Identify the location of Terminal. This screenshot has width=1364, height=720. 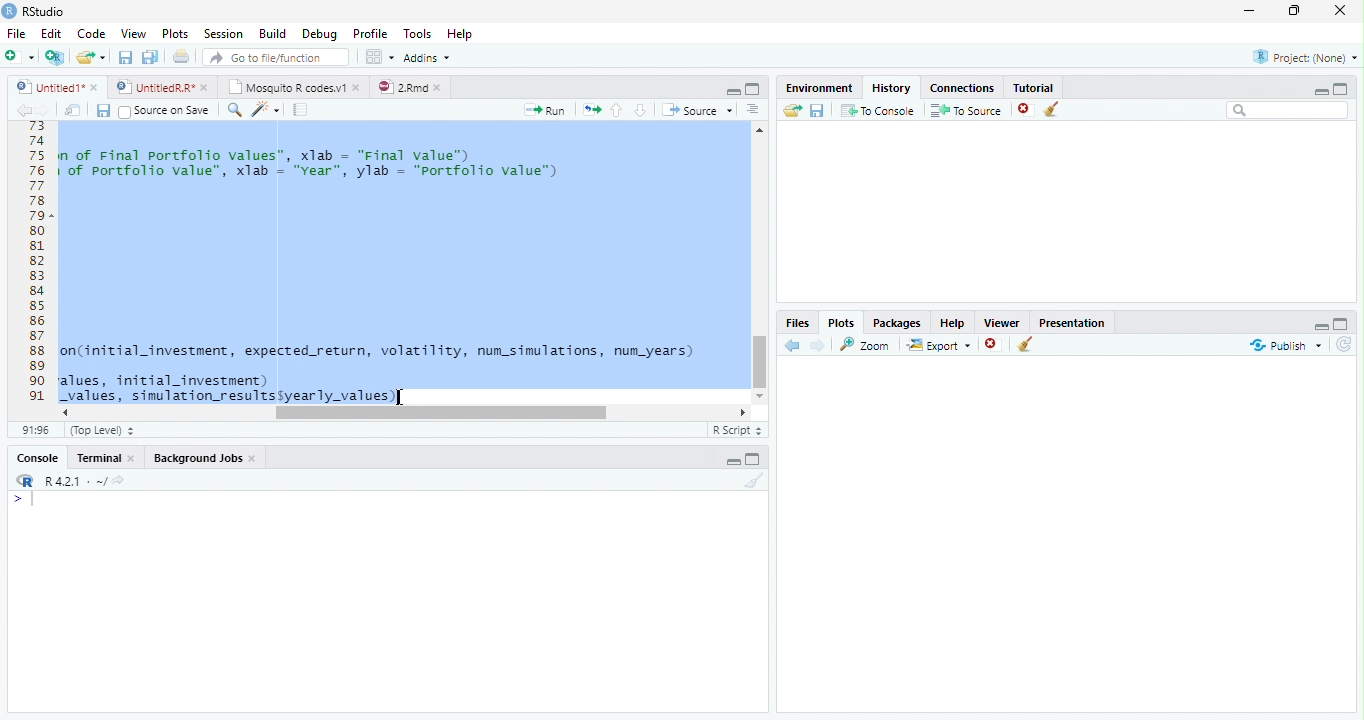
(107, 457).